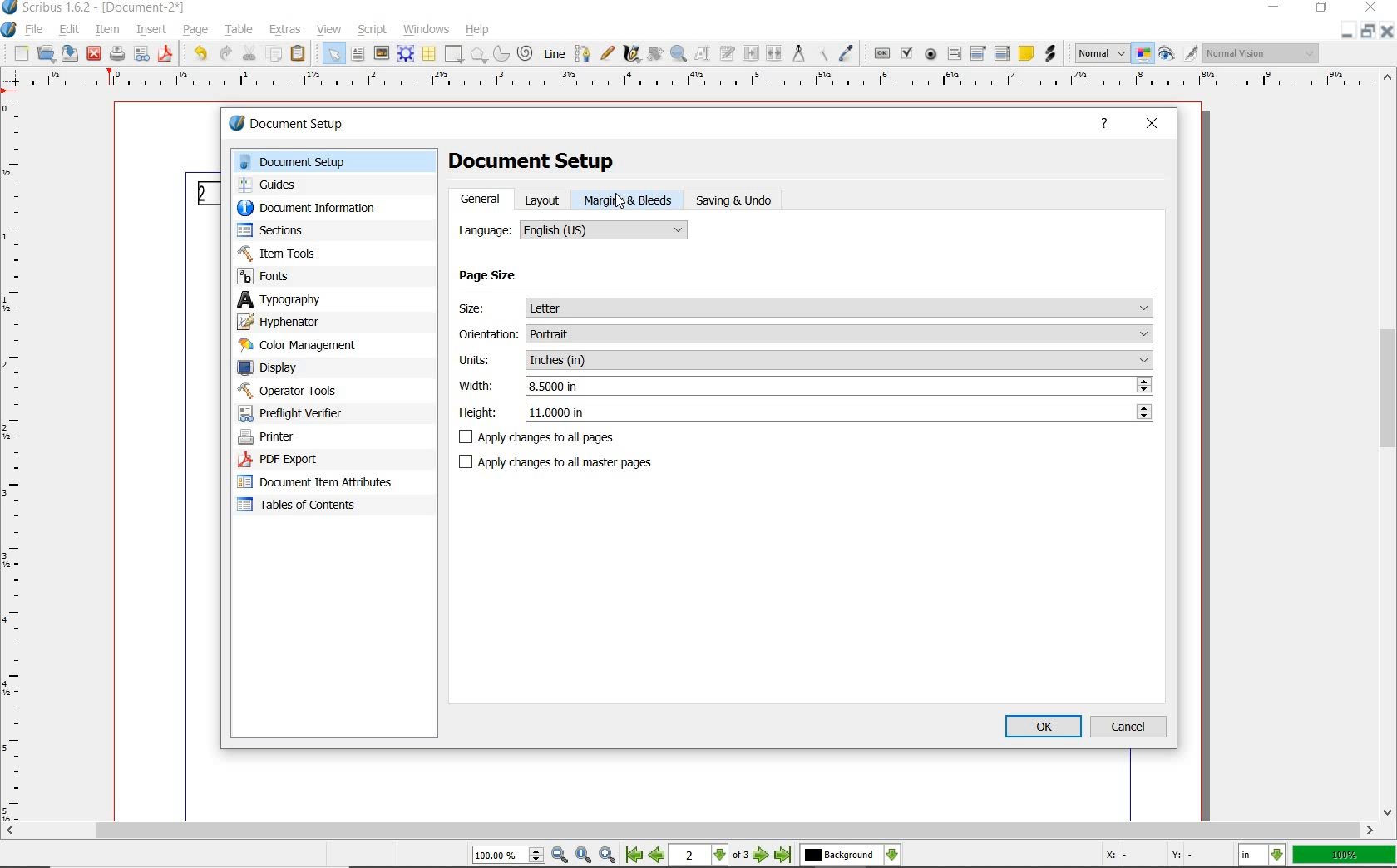 The height and width of the screenshot is (868, 1397). What do you see at coordinates (633, 54) in the screenshot?
I see `calligraphic line` at bounding box center [633, 54].